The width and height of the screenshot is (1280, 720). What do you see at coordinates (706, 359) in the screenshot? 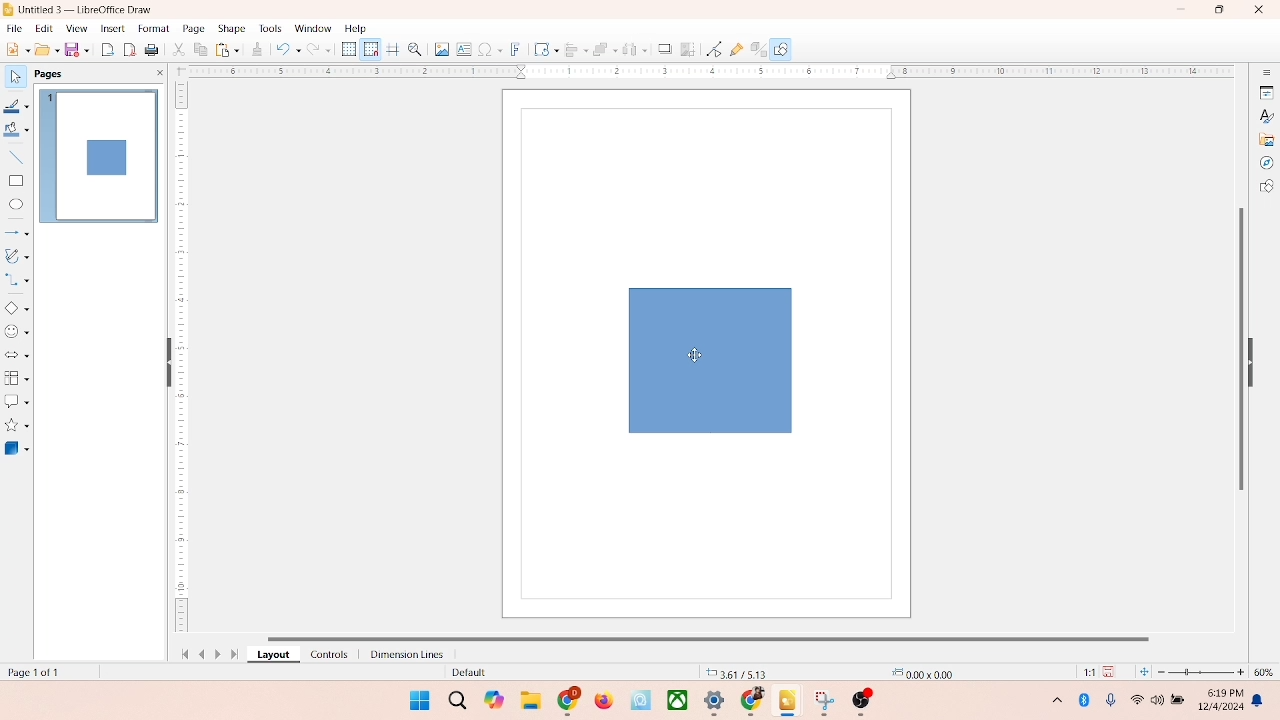
I see `shapes` at bounding box center [706, 359].